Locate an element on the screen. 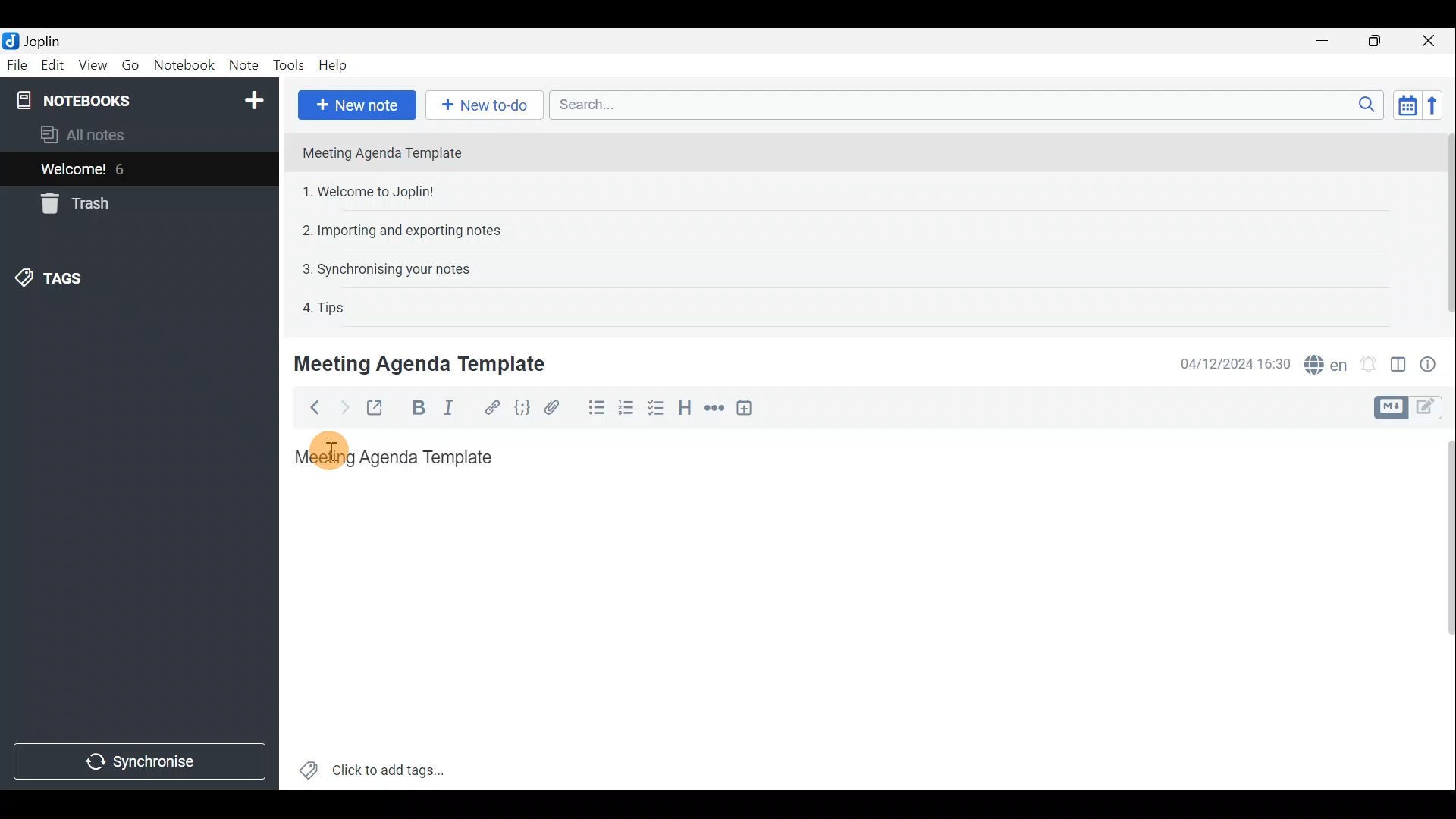  Synchronise is located at coordinates (140, 763).